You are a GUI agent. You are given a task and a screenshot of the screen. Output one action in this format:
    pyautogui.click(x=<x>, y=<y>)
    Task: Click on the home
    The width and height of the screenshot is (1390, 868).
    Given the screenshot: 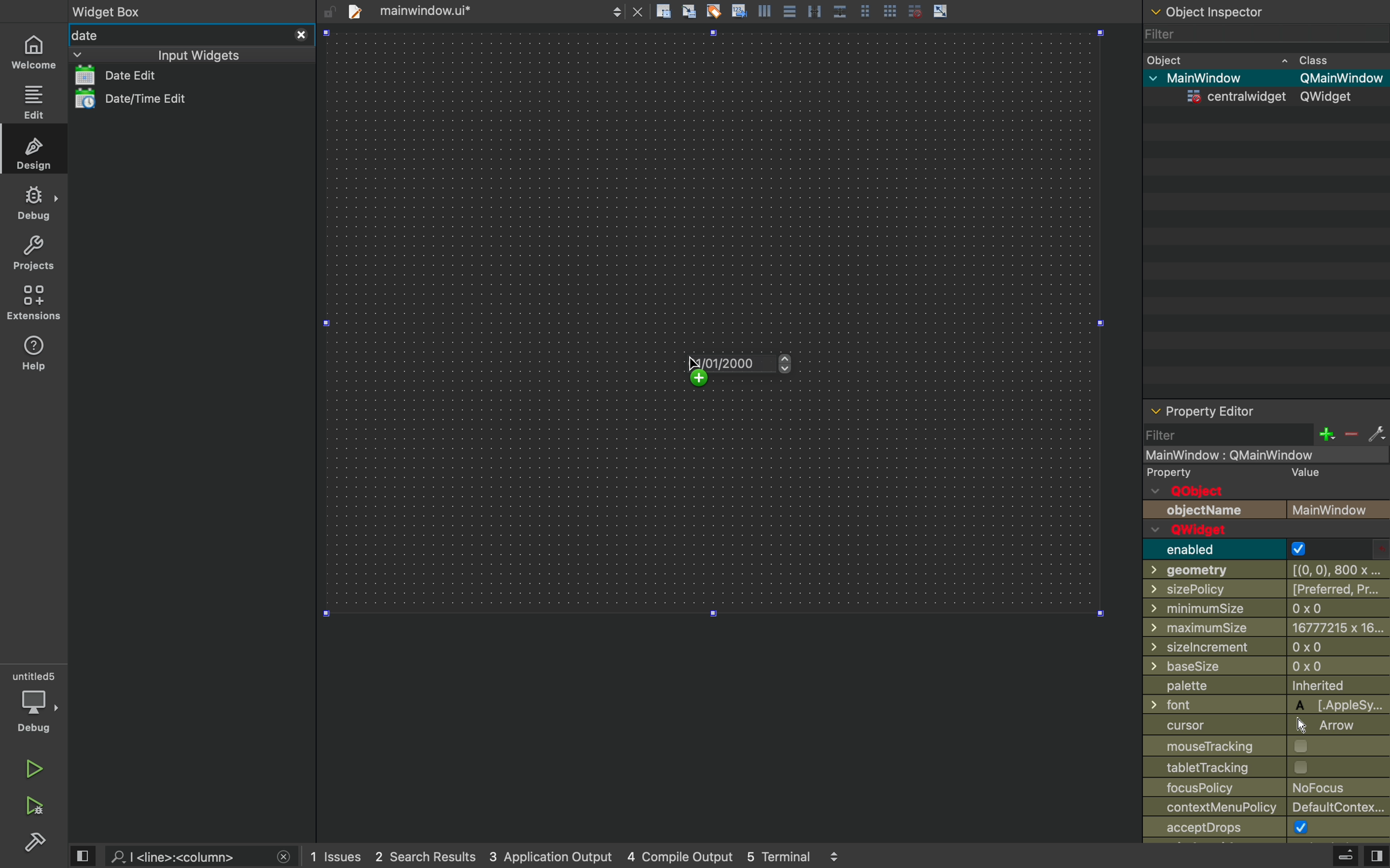 What is the action you would take?
    pyautogui.click(x=32, y=51)
    